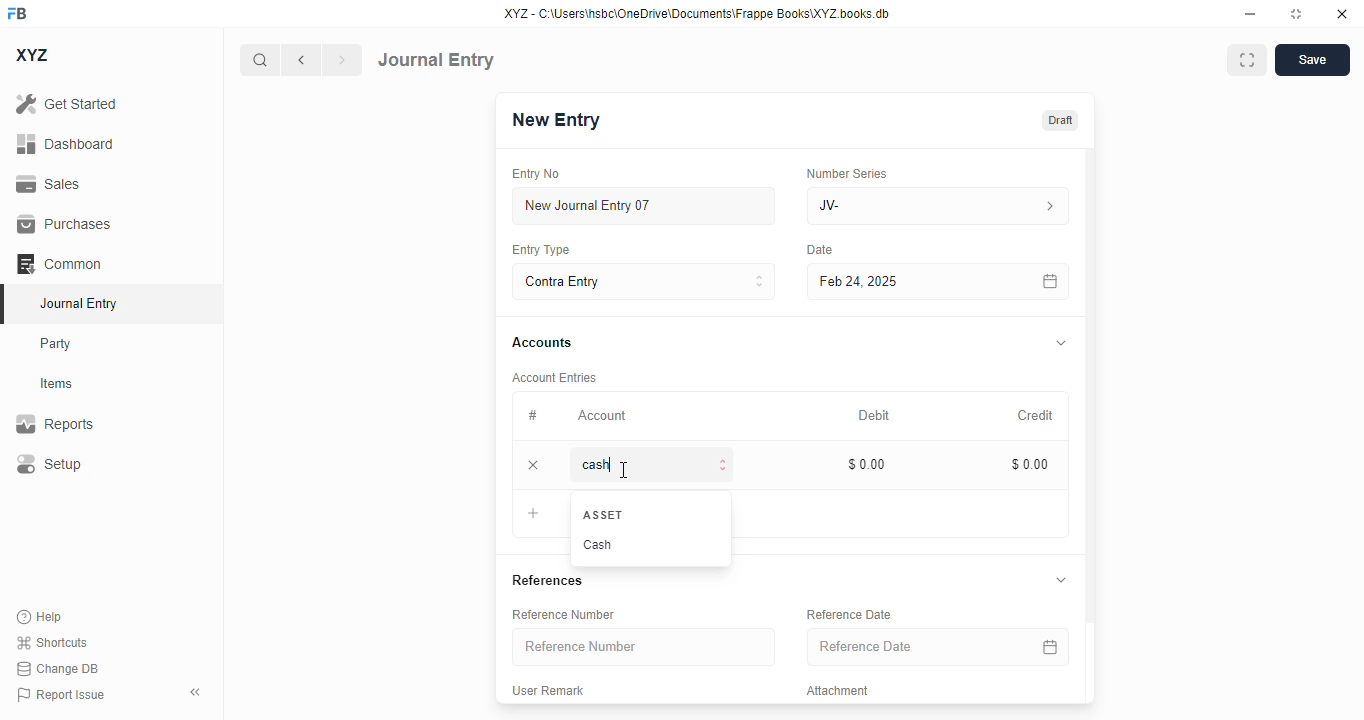 The height and width of the screenshot is (720, 1364). Describe the element at coordinates (850, 614) in the screenshot. I see `reference date` at that location.